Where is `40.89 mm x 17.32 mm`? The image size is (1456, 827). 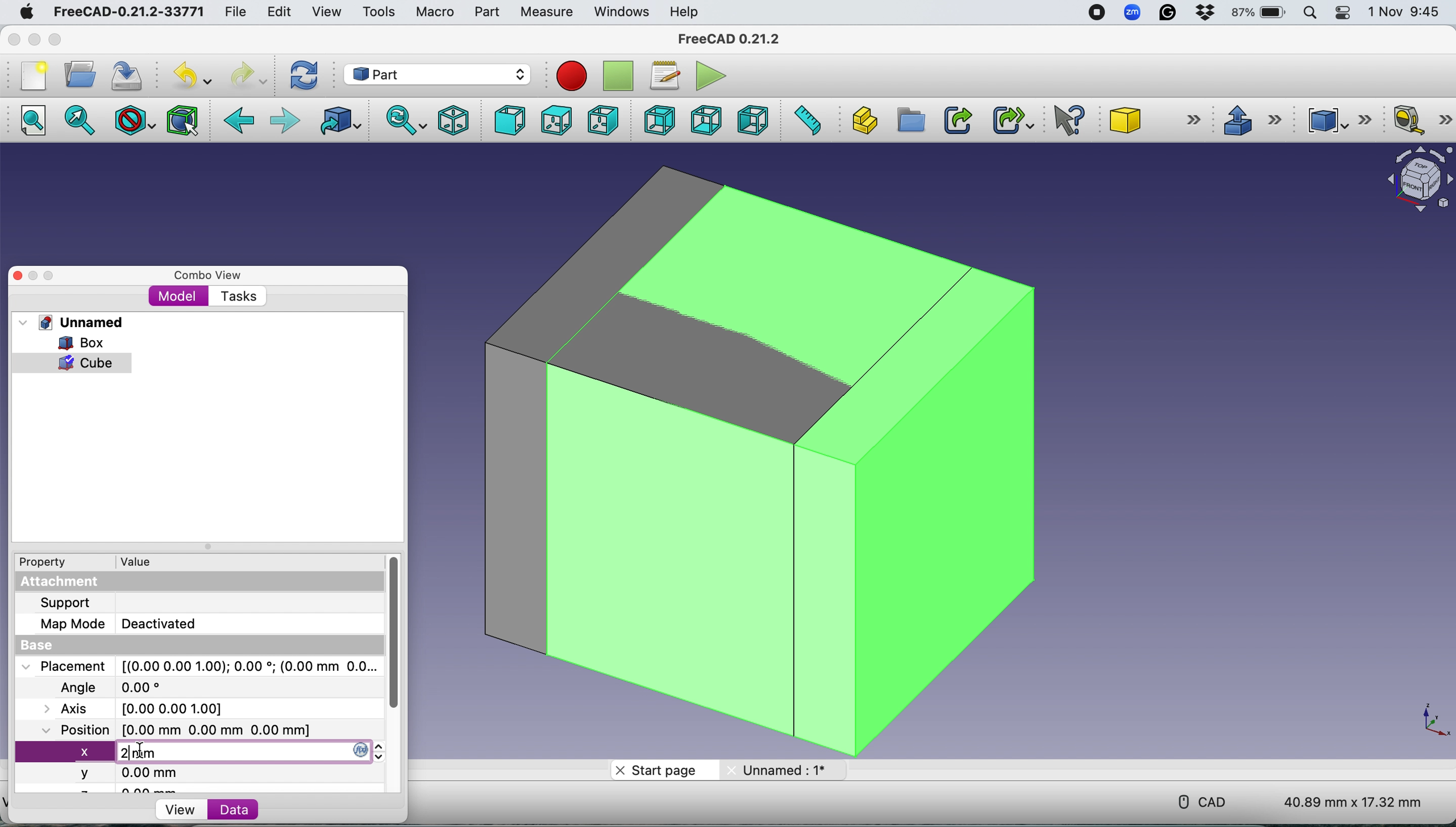 40.89 mm x 17.32 mm is located at coordinates (1343, 800).